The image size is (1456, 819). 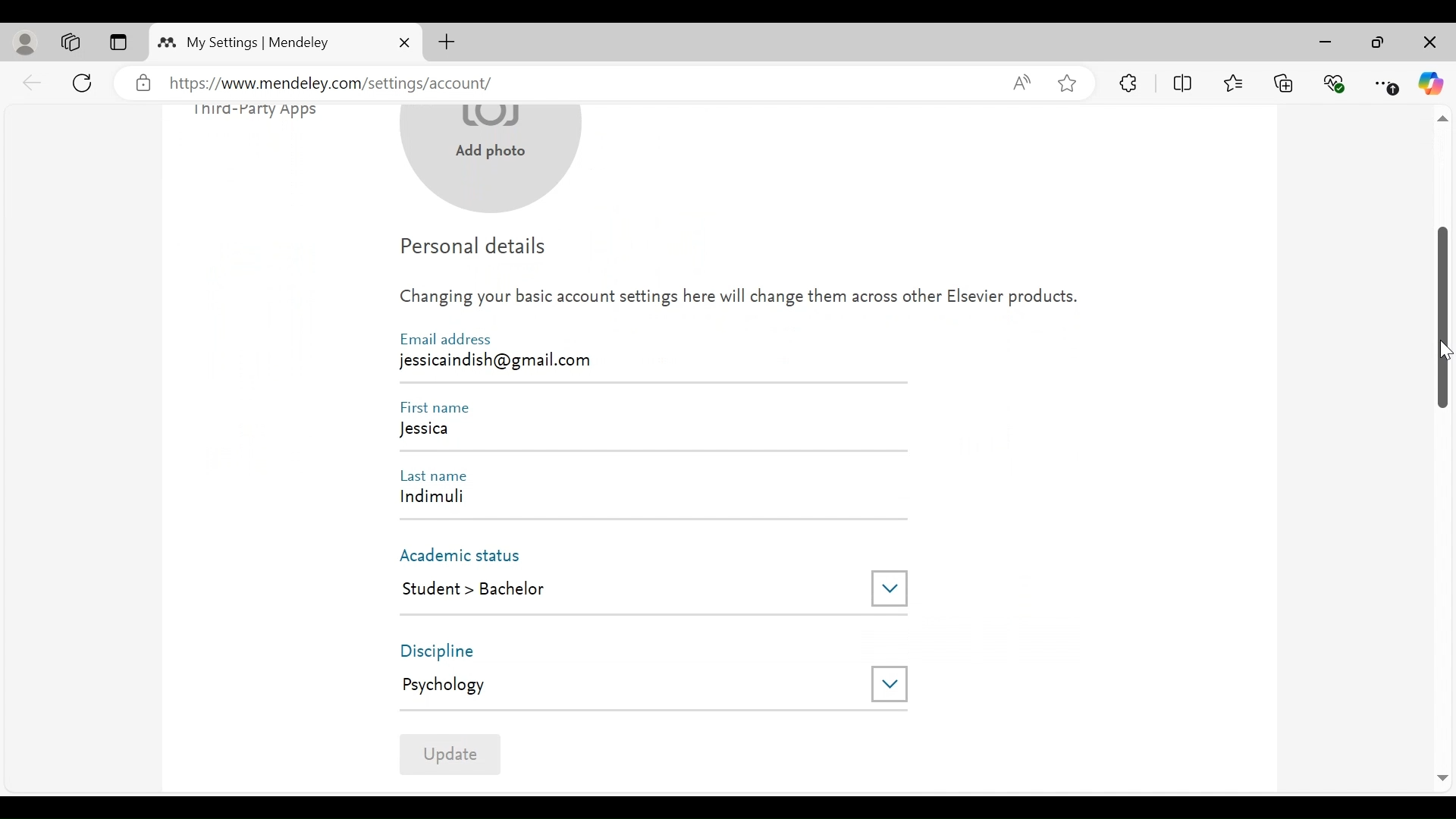 What do you see at coordinates (1021, 82) in the screenshot?
I see `Read aloud this page` at bounding box center [1021, 82].